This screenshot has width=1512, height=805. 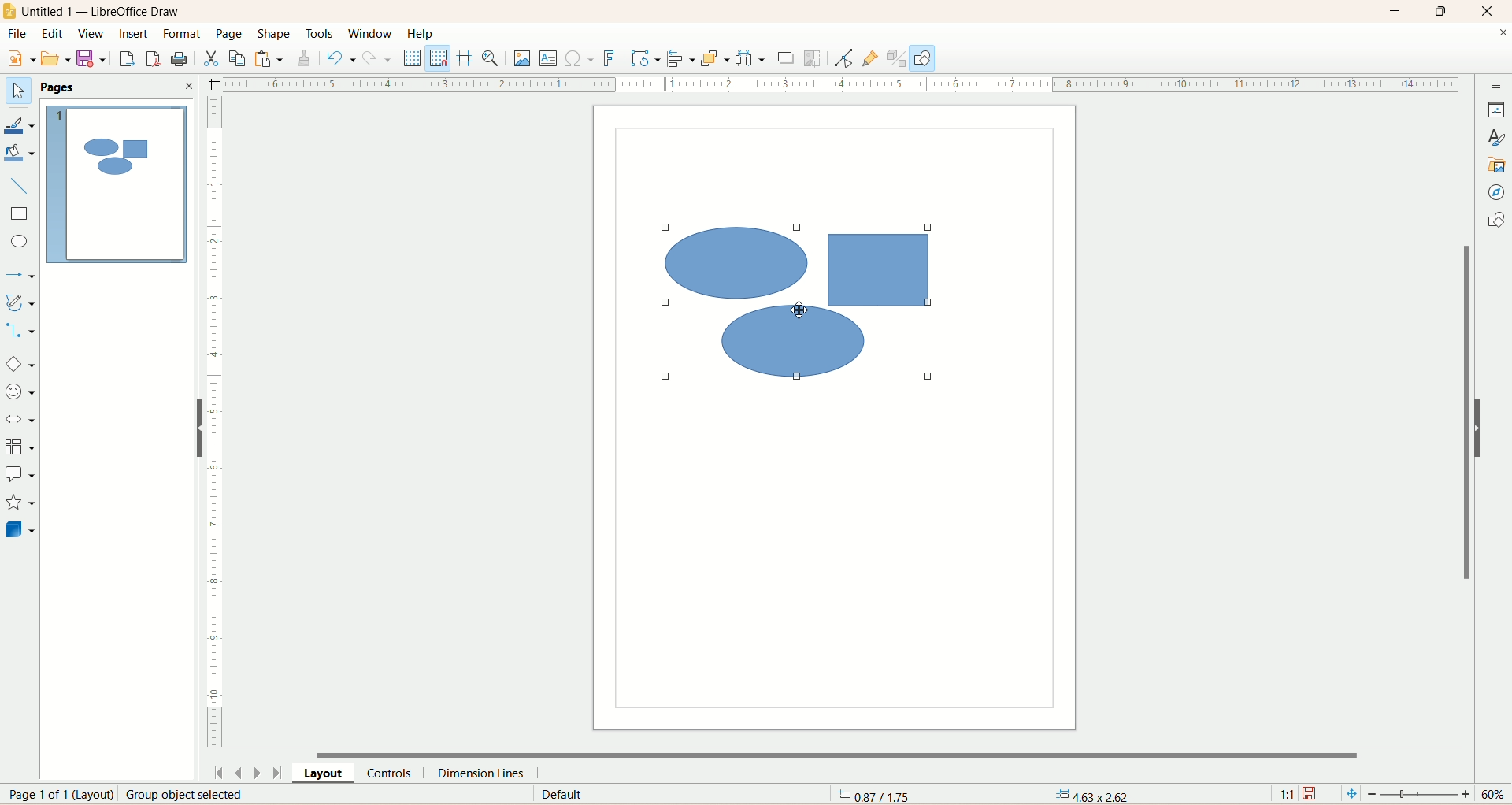 I want to click on shapes selected, so click(x=807, y=302).